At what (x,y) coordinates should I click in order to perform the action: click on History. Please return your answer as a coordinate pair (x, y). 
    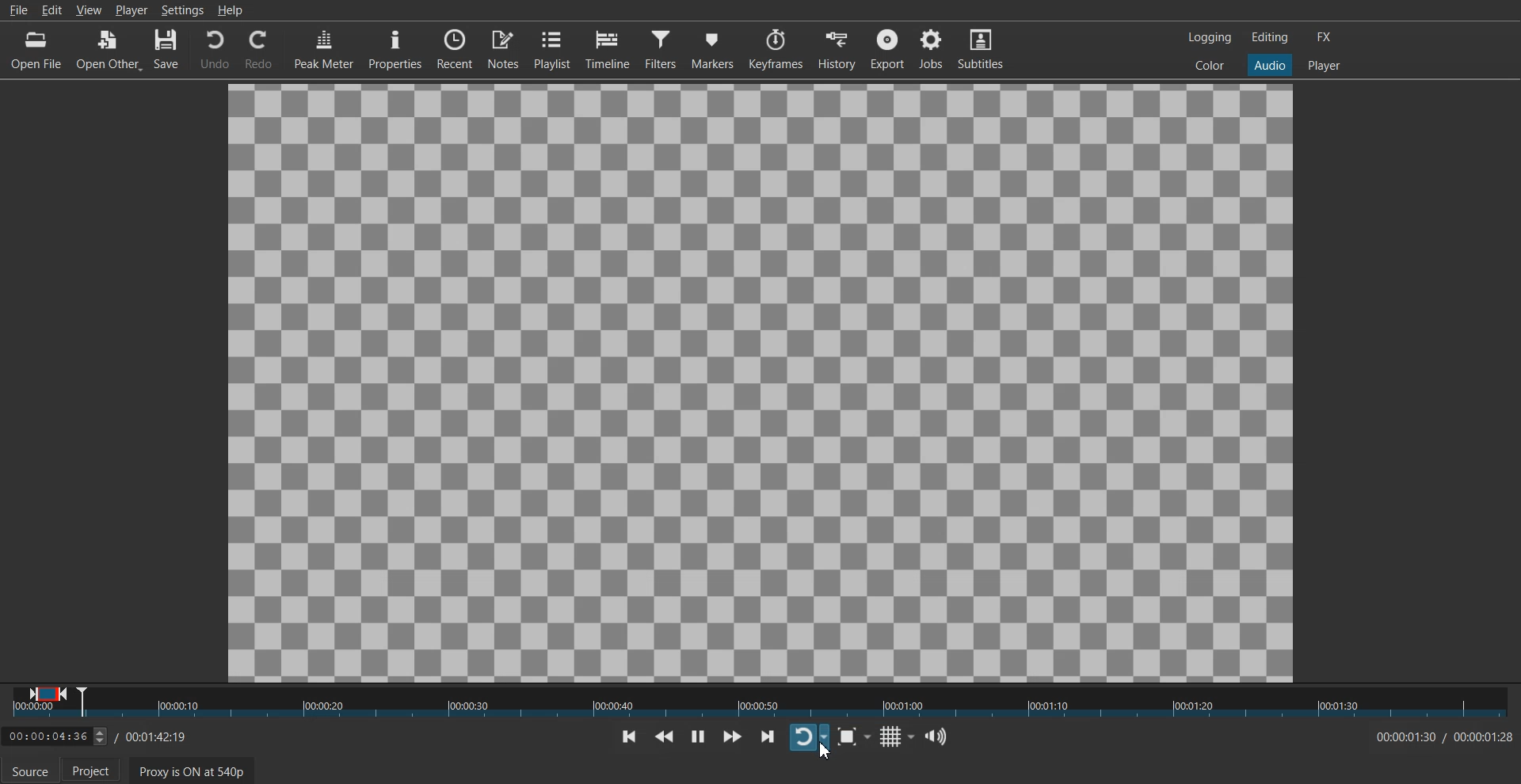
    Looking at the image, I should click on (839, 48).